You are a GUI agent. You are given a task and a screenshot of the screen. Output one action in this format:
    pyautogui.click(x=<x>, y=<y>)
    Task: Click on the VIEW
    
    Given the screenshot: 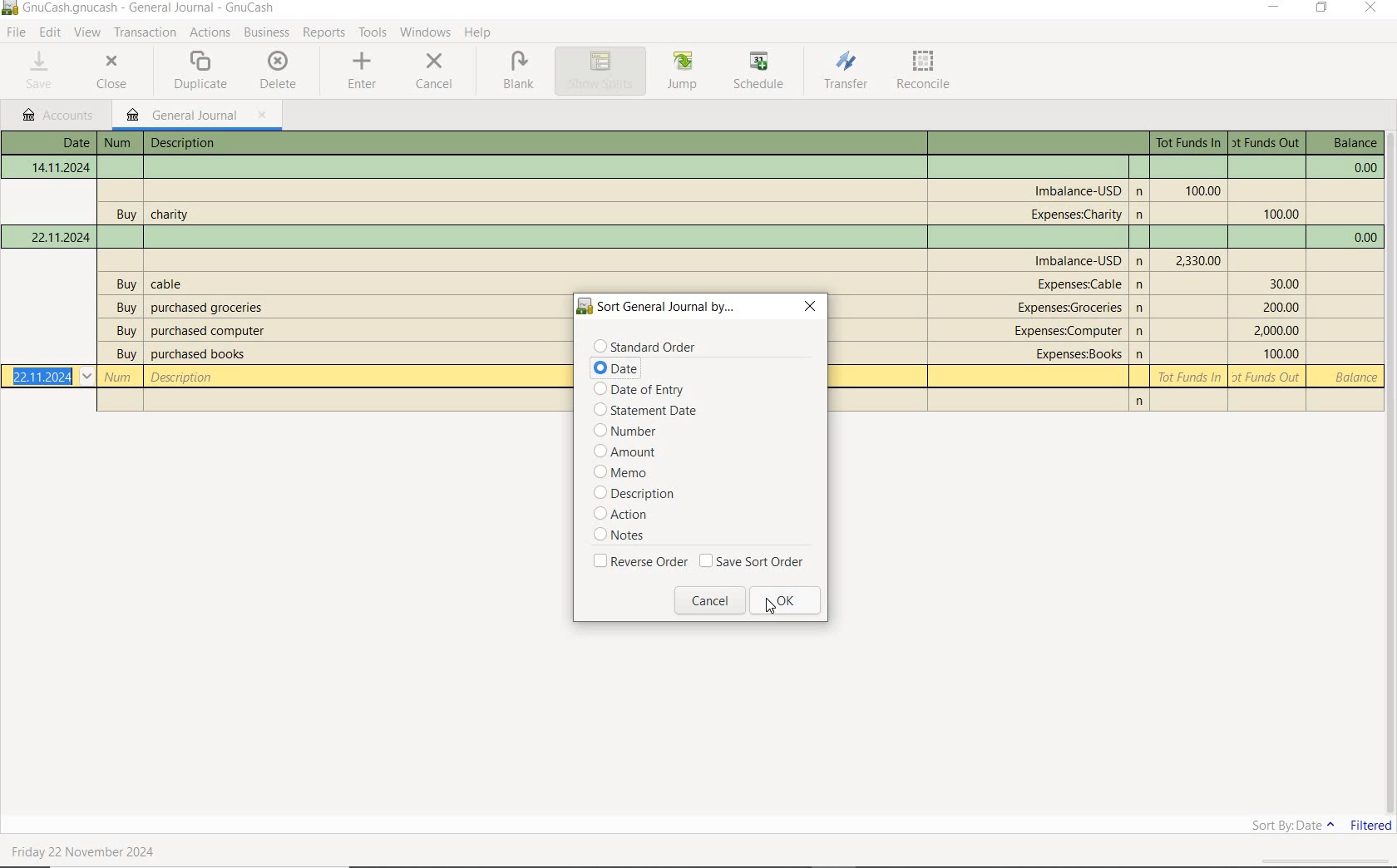 What is the action you would take?
    pyautogui.click(x=89, y=33)
    